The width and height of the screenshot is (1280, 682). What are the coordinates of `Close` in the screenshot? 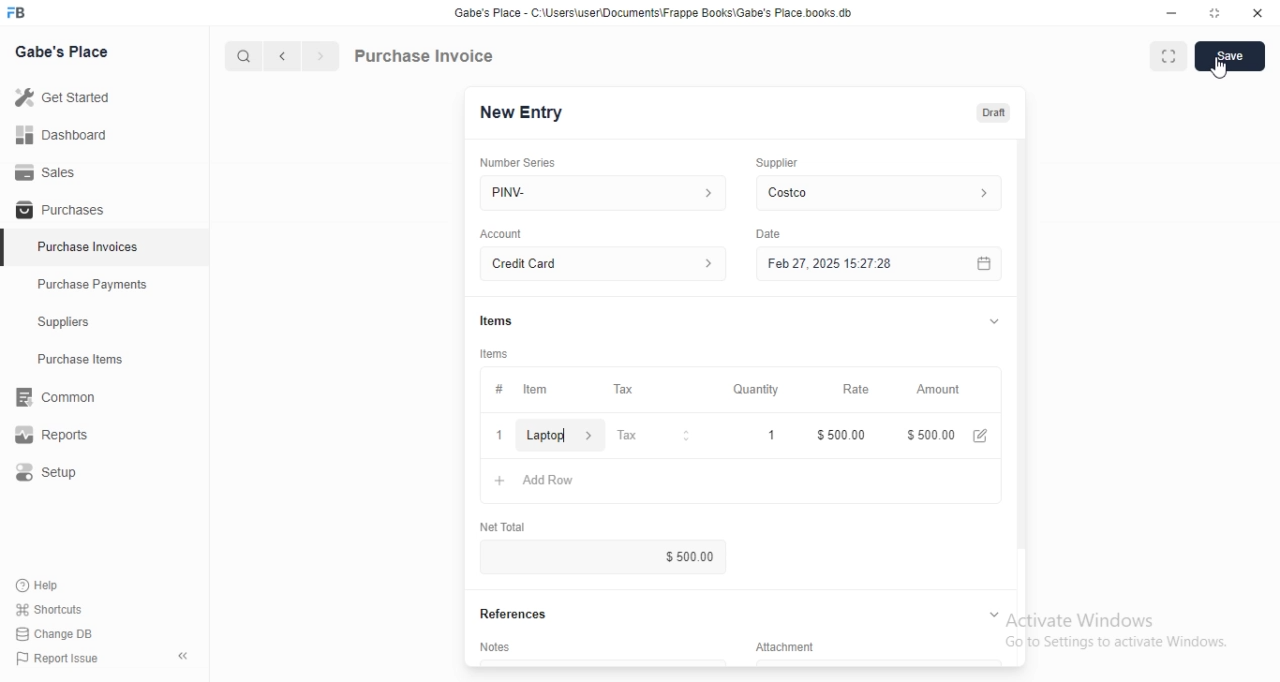 It's located at (500, 435).